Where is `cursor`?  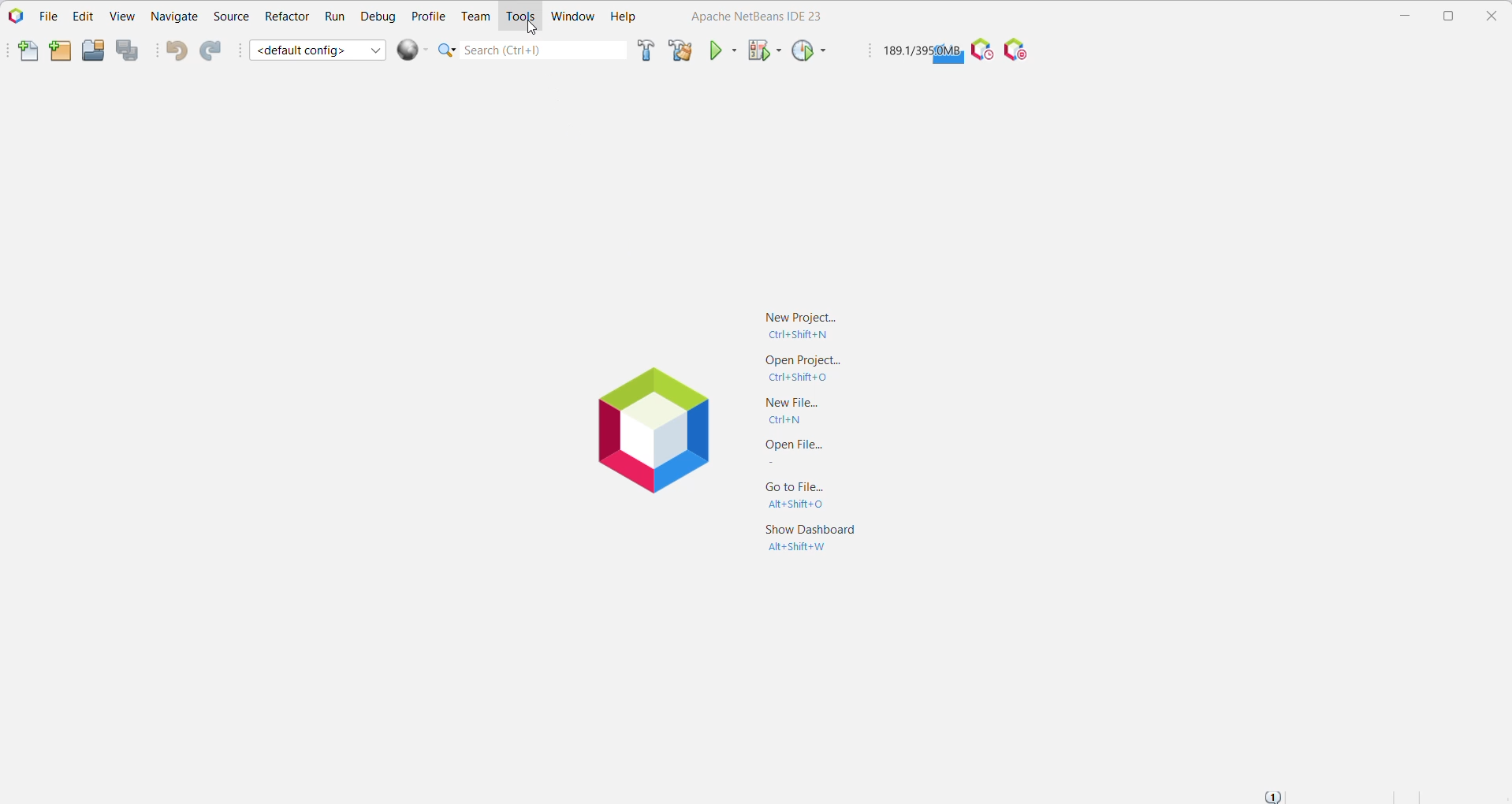 cursor is located at coordinates (531, 28).